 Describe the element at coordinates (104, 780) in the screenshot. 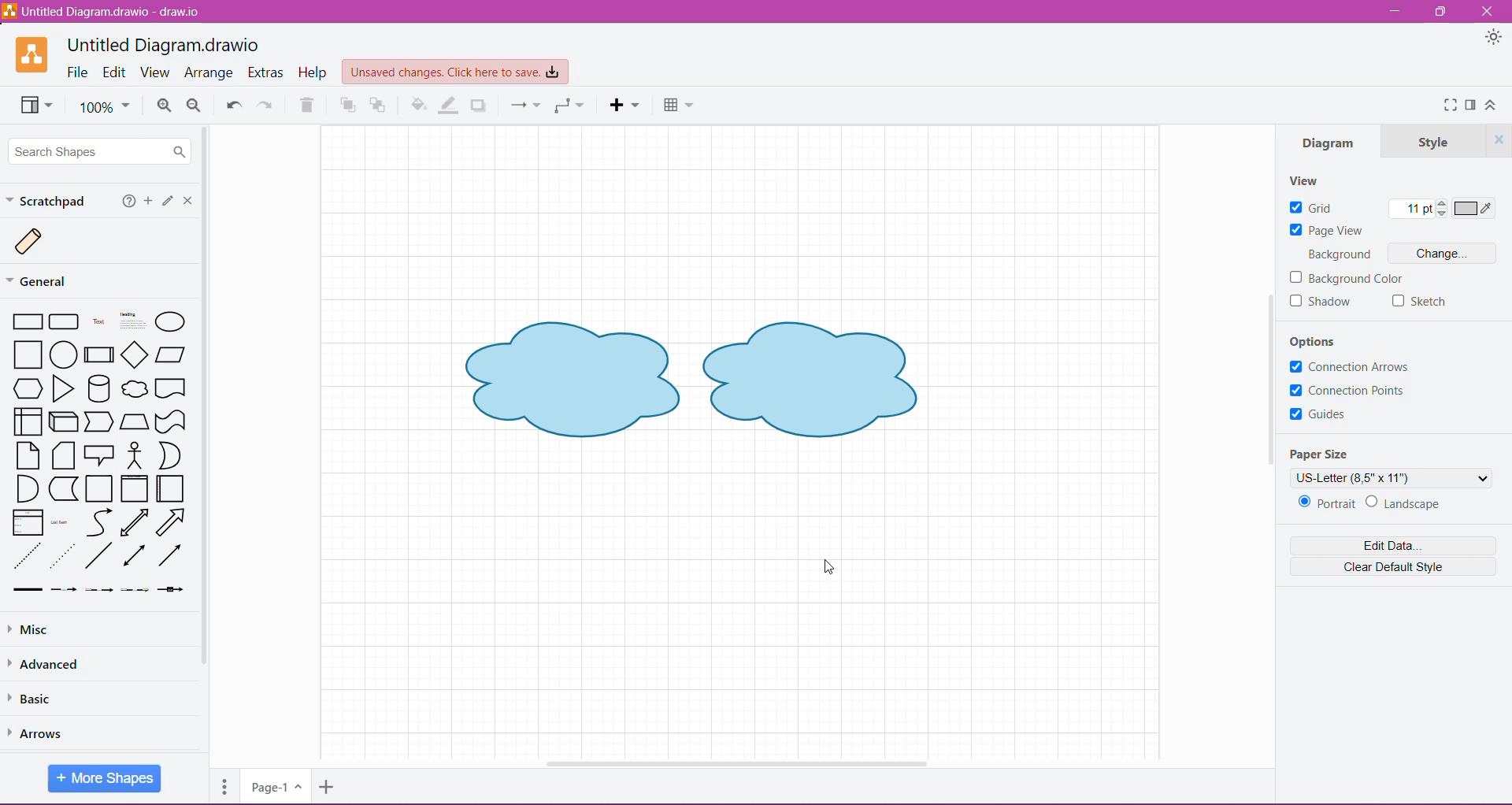

I see `More Shapes` at that location.